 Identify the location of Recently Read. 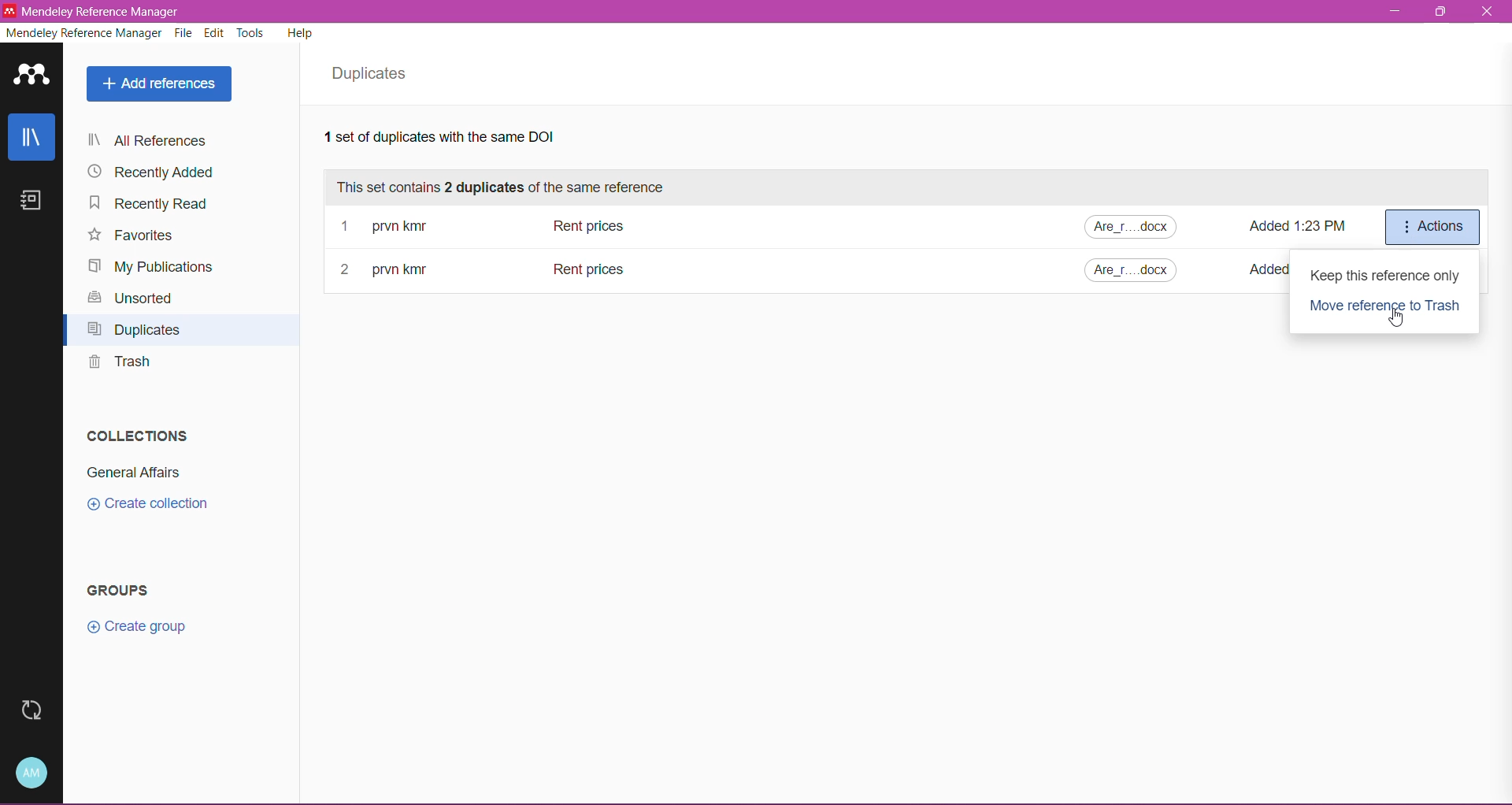
(156, 206).